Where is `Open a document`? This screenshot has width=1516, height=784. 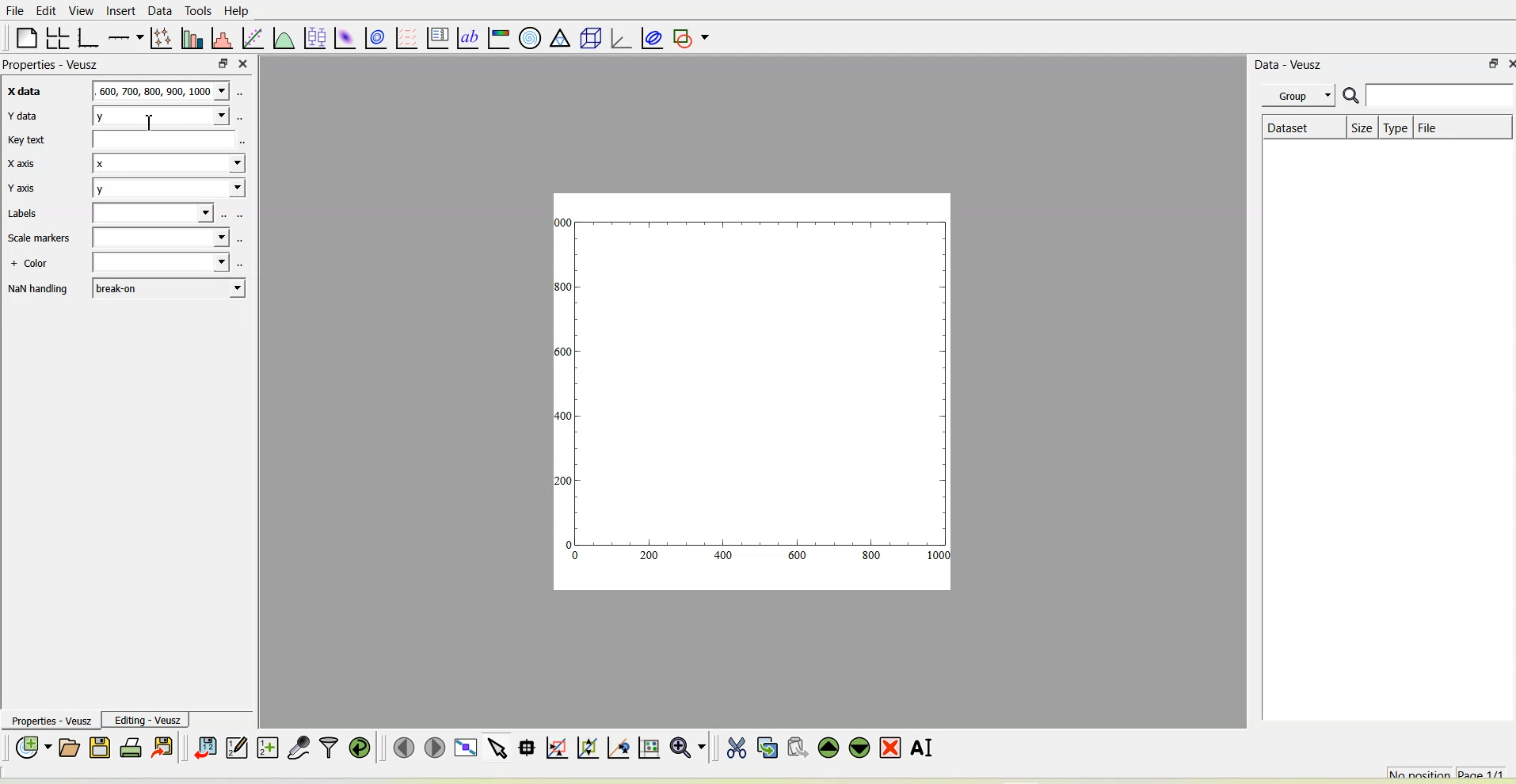 Open a document is located at coordinates (70, 748).